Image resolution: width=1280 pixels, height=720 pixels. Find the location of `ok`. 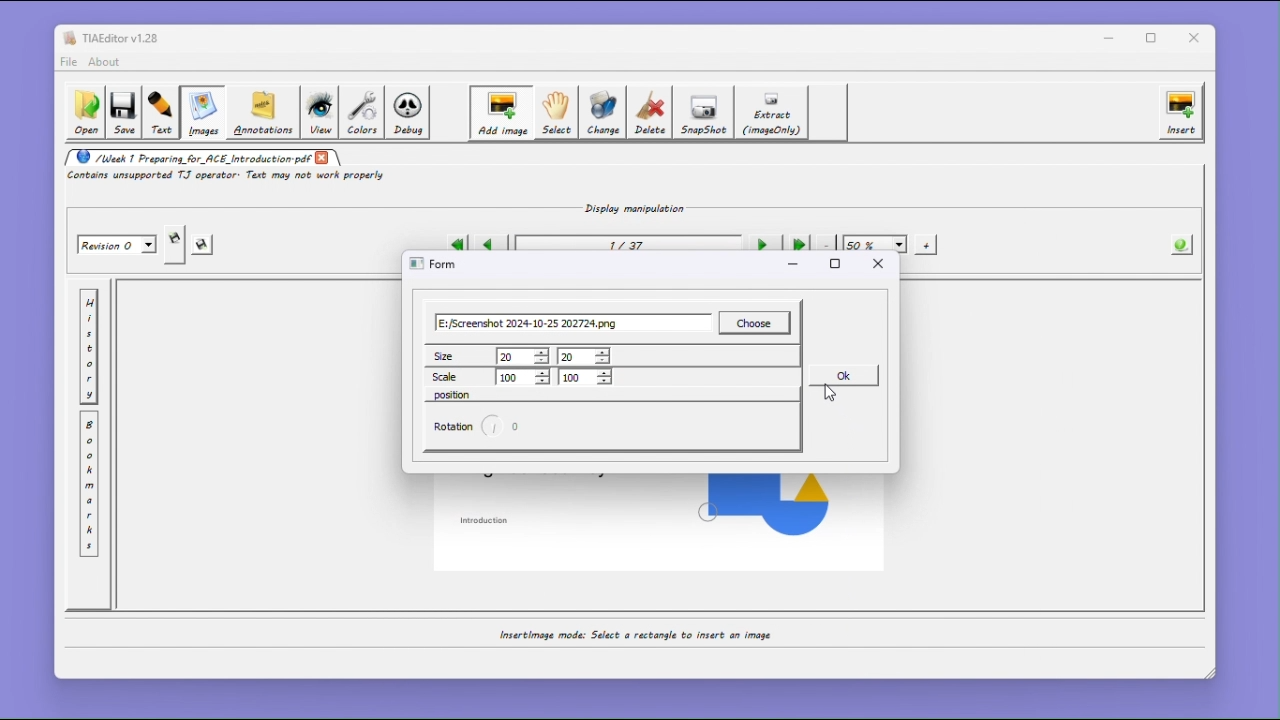

ok is located at coordinates (842, 375).